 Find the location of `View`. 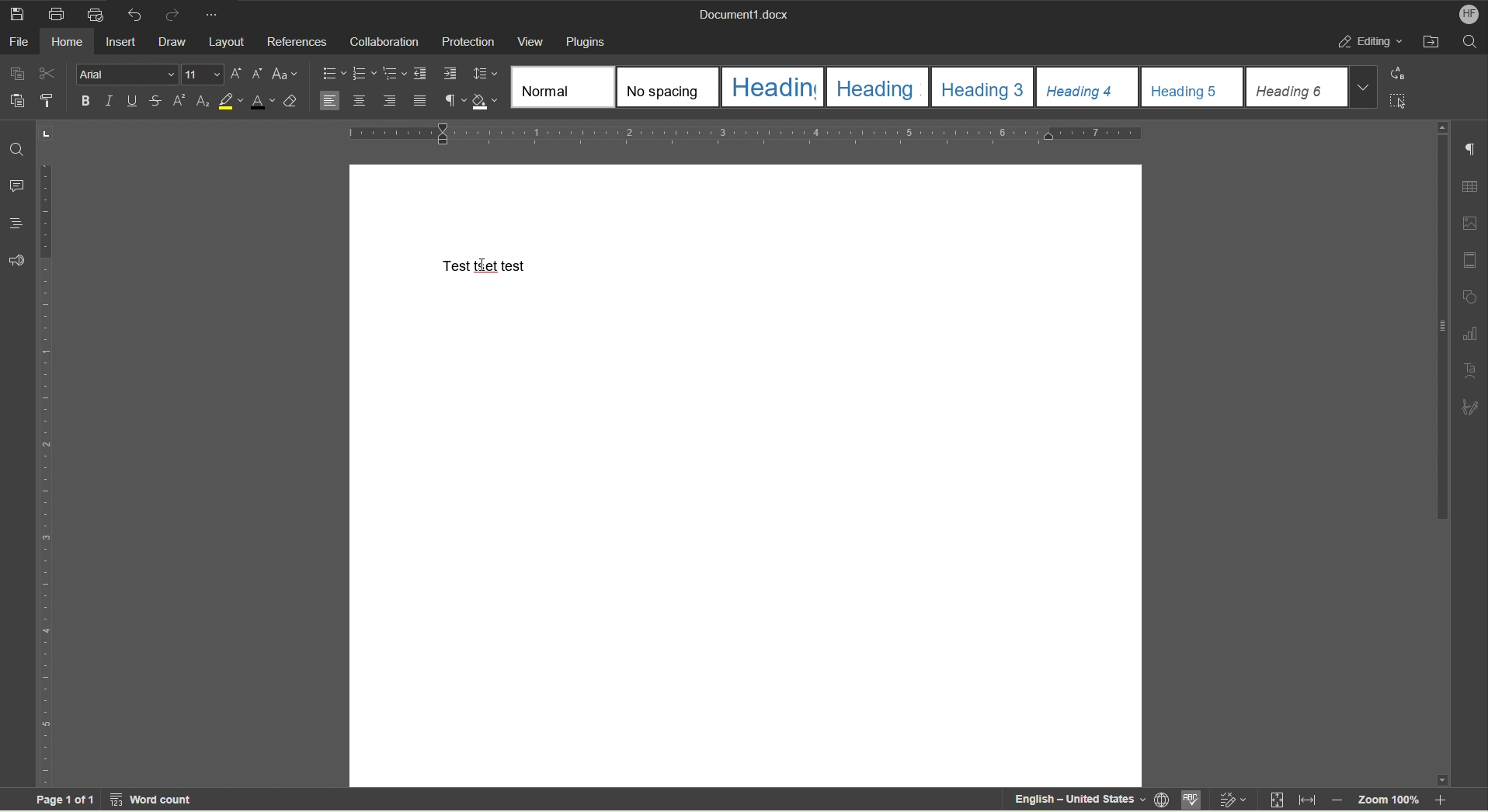

View is located at coordinates (530, 41).